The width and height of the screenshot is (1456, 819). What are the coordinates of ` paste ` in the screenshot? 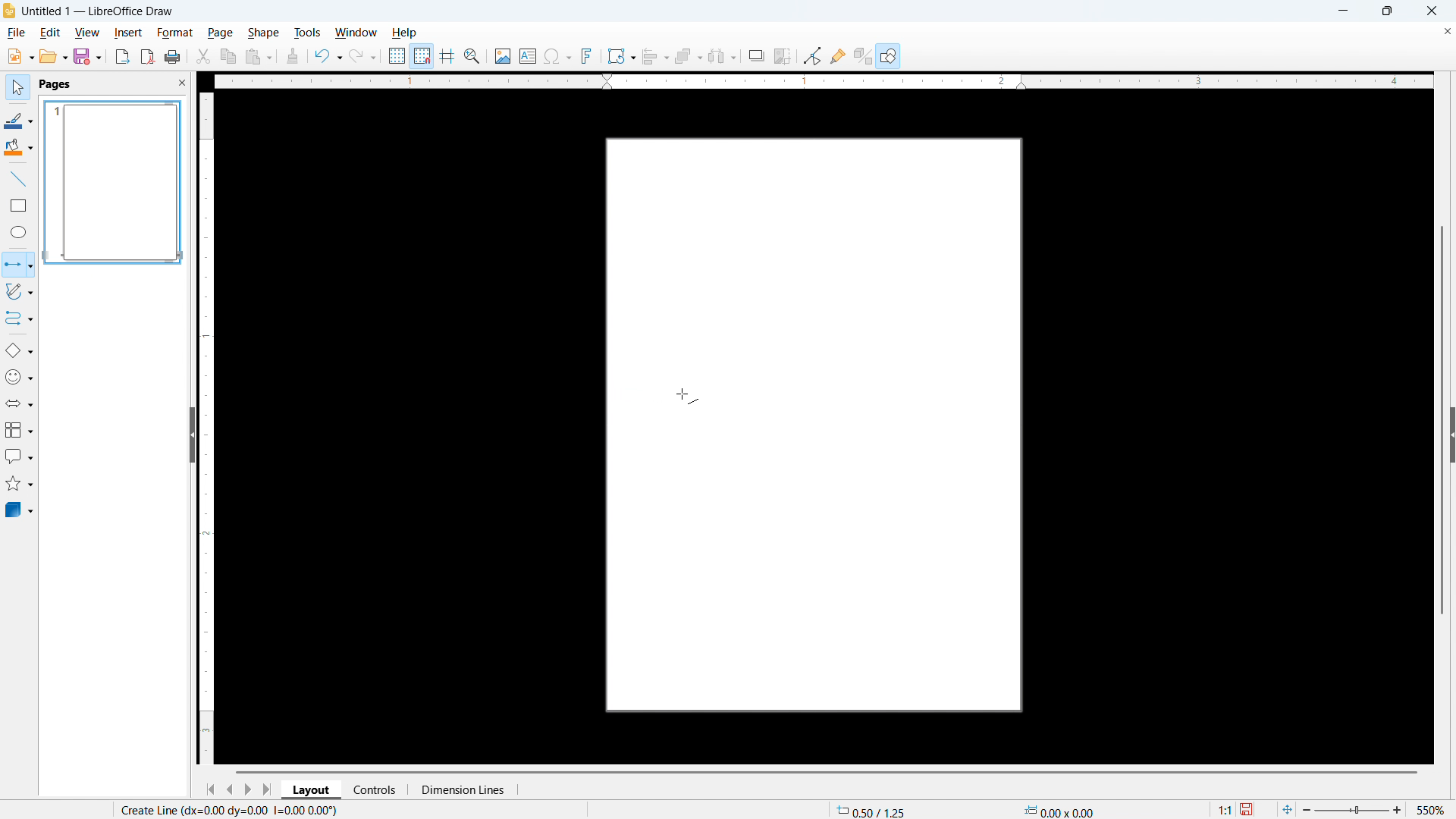 It's located at (259, 58).